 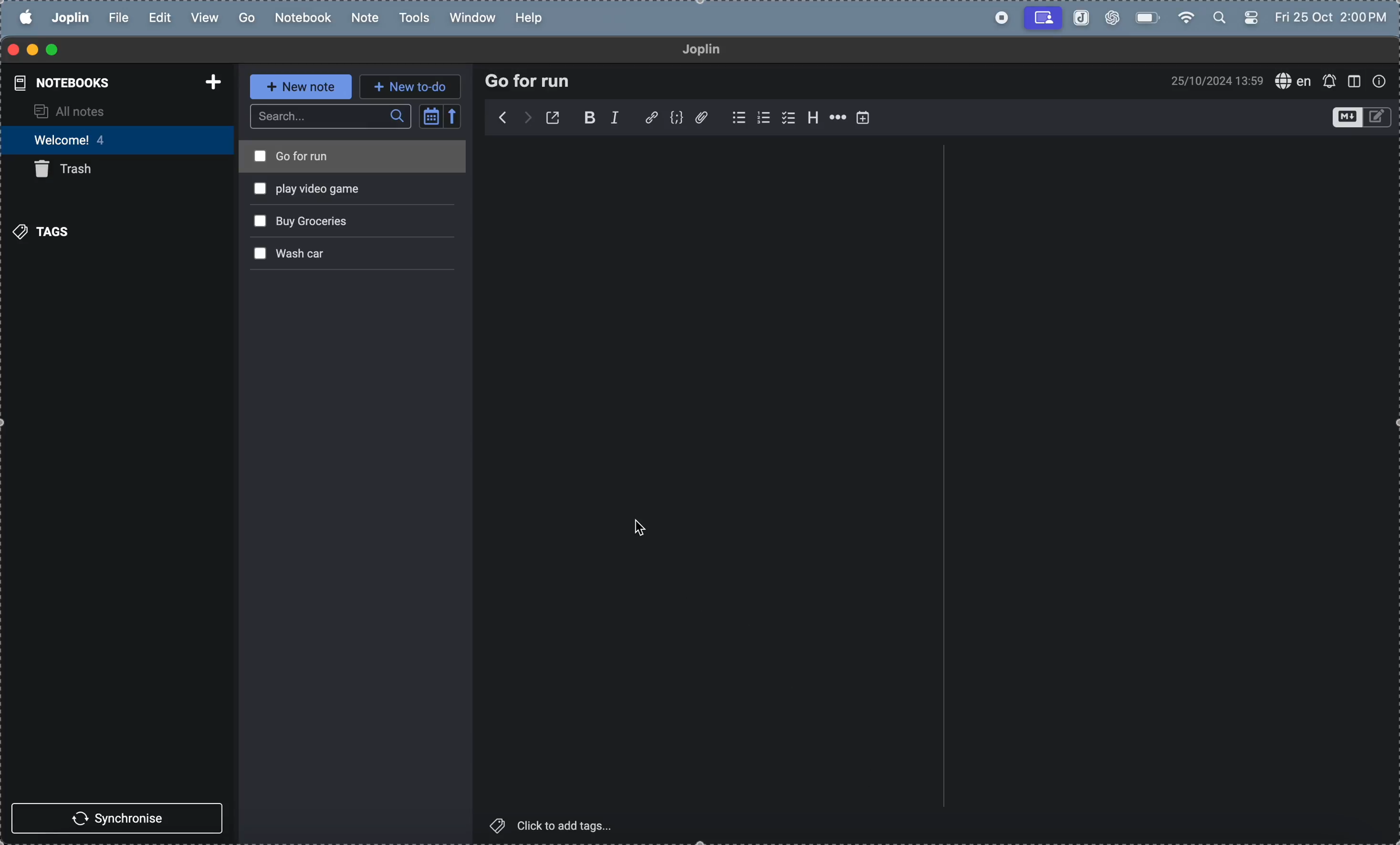 I want to click on create alert, so click(x=1330, y=82).